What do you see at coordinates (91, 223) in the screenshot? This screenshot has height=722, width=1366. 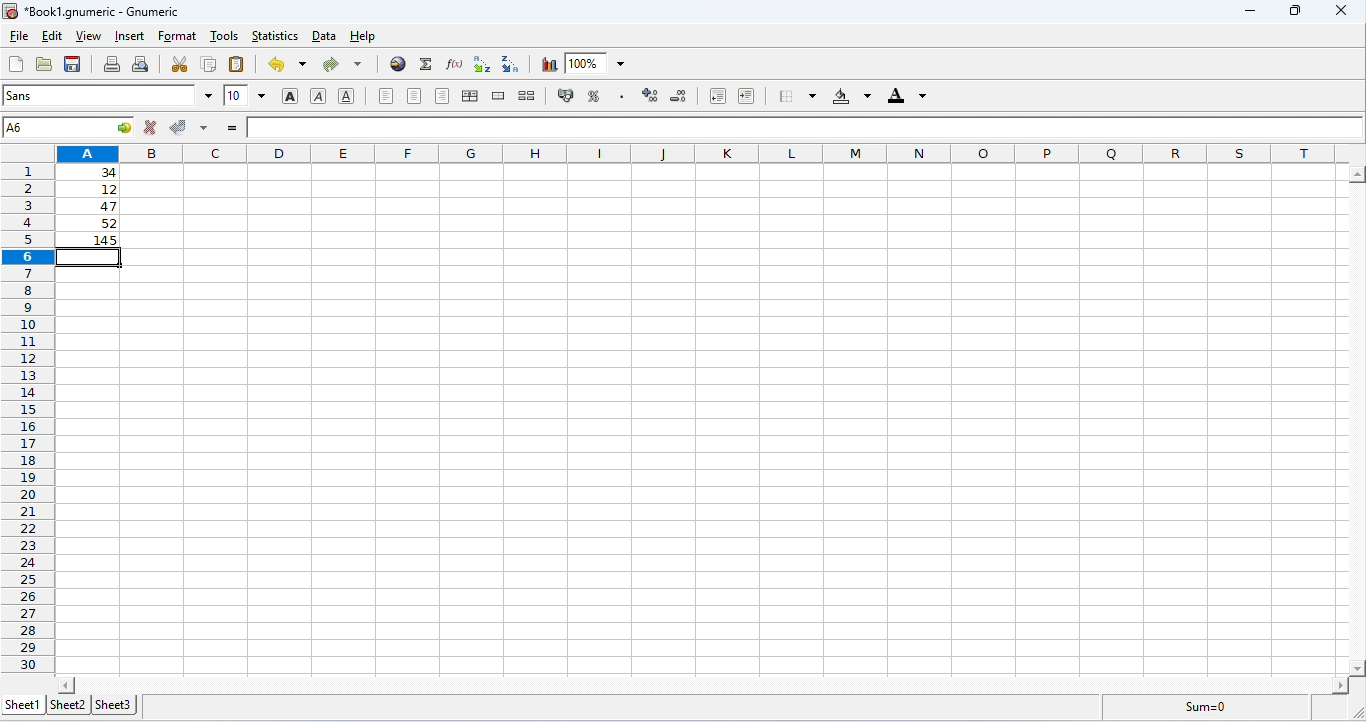 I see `52` at bounding box center [91, 223].